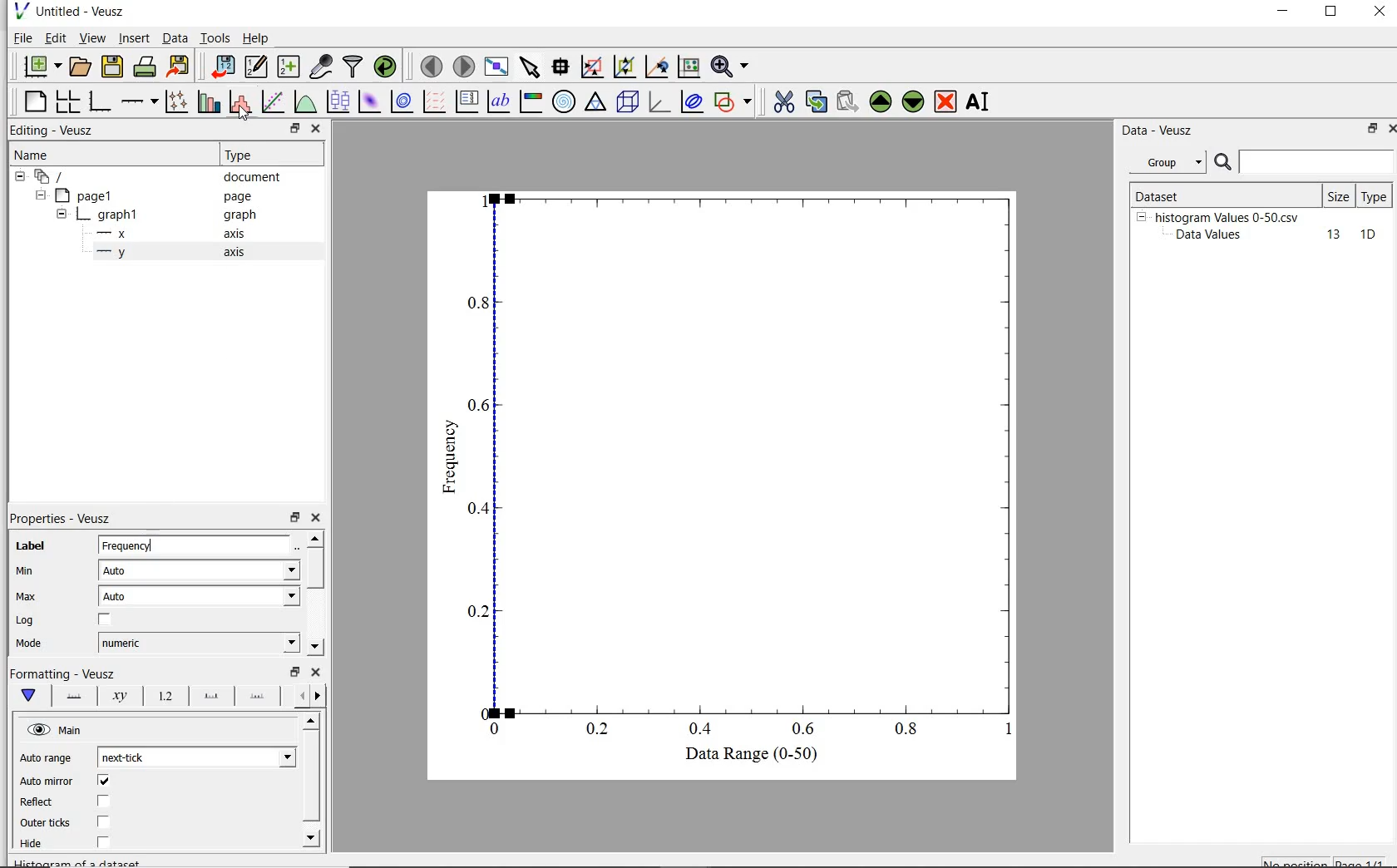 The width and height of the screenshot is (1397, 868). I want to click on image color bar, so click(532, 101).